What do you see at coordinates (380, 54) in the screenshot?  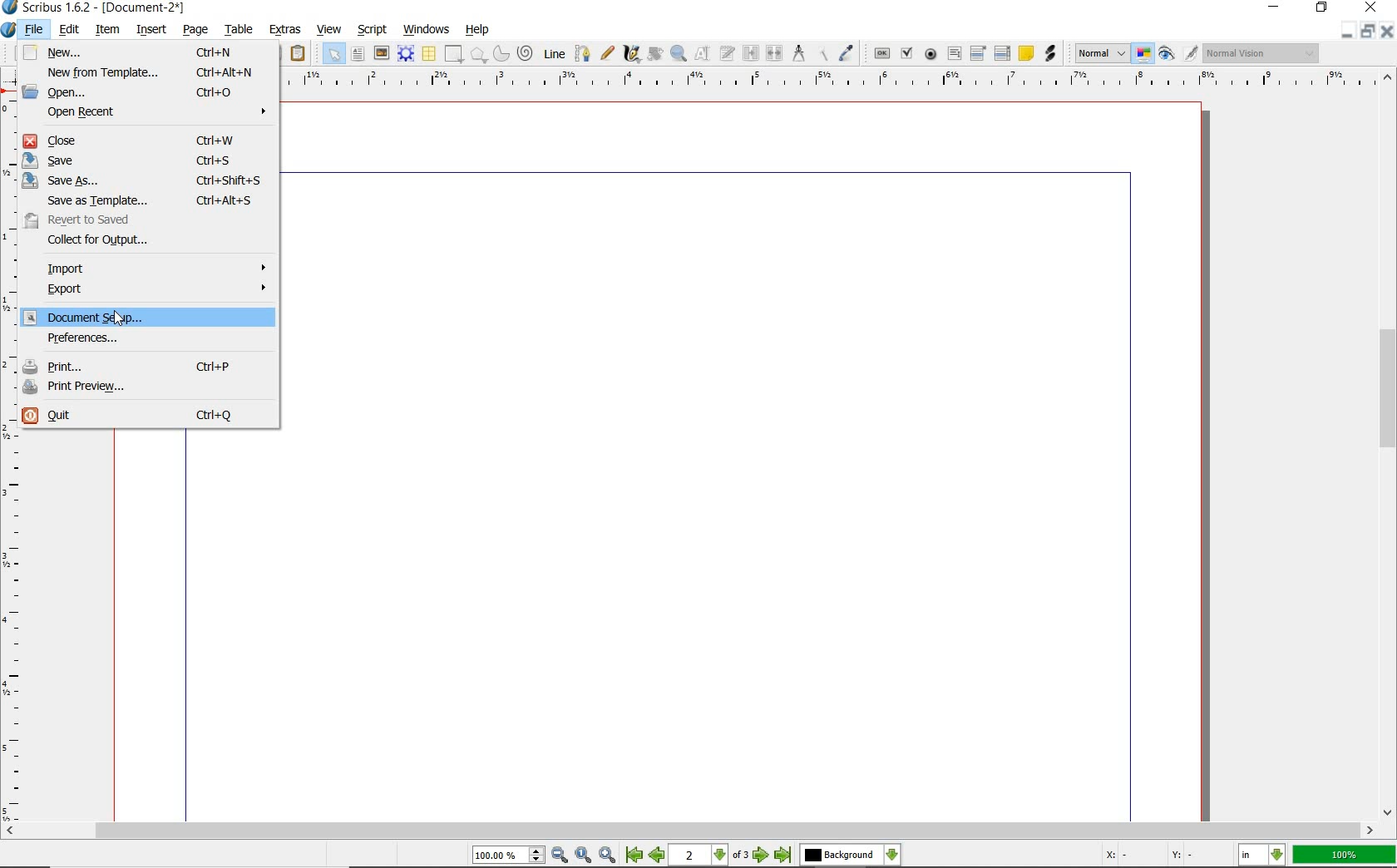 I see `image frame` at bounding box center [380, 54].